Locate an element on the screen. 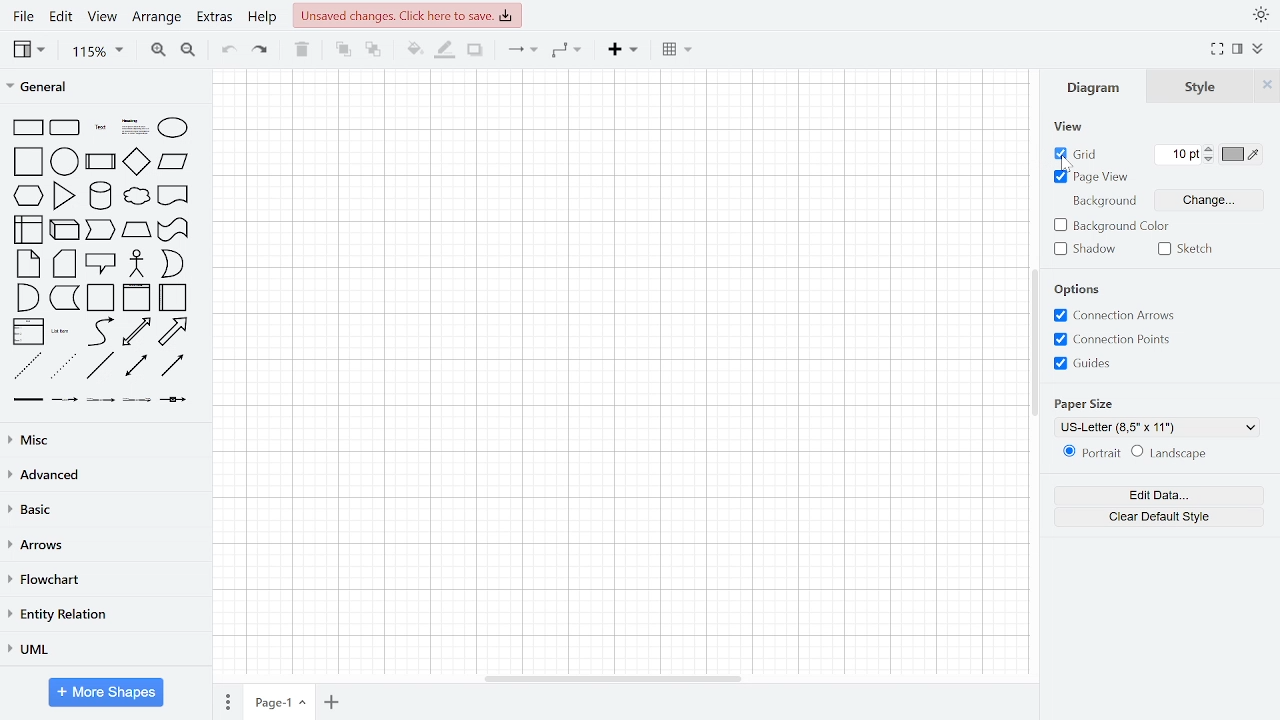 The width and height of the screenshot is (1280, 720). increase grid pt is located at coordinates (1211, 148).